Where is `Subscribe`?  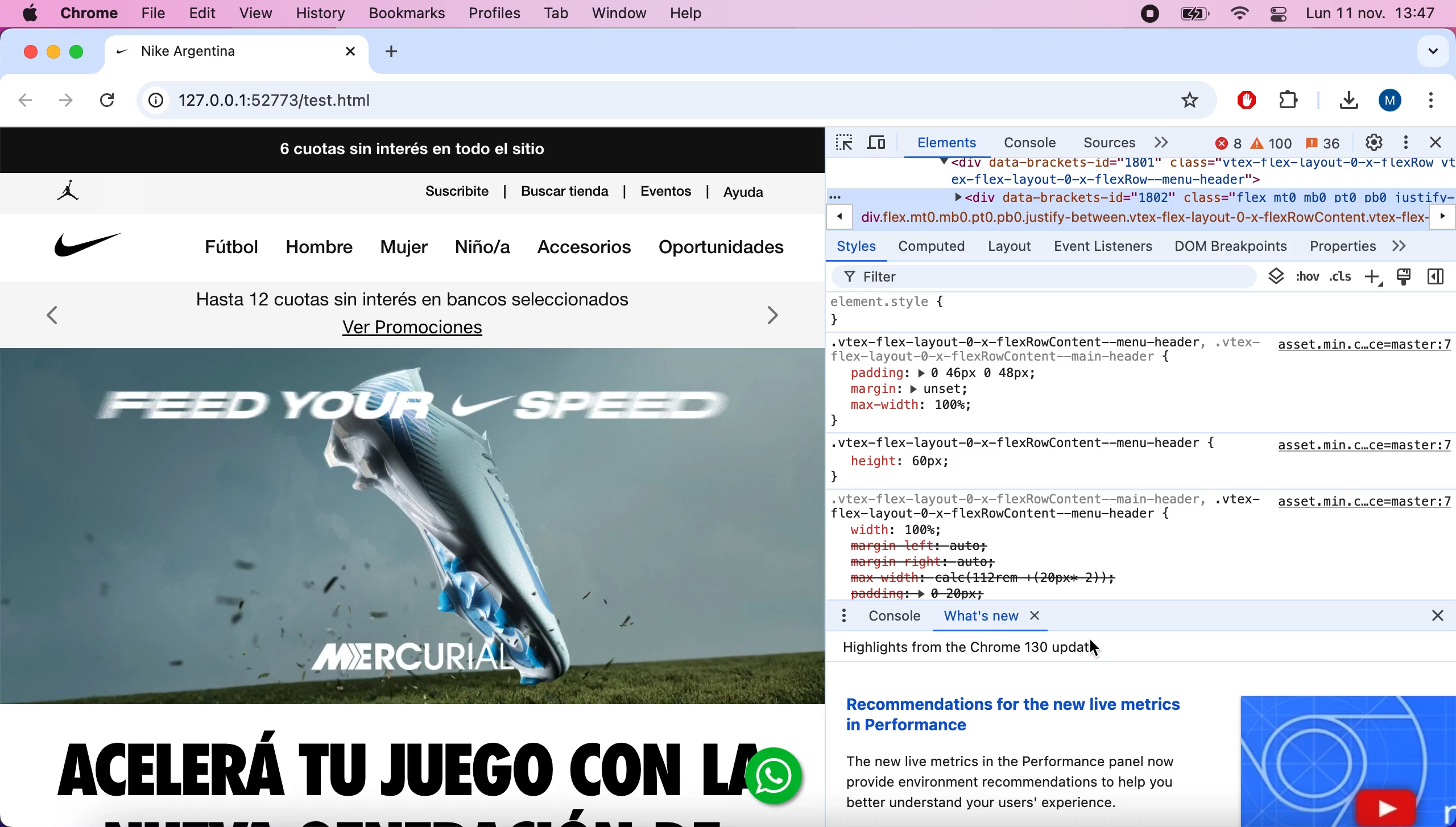
Subscribe is located at coordinates (456, 193).